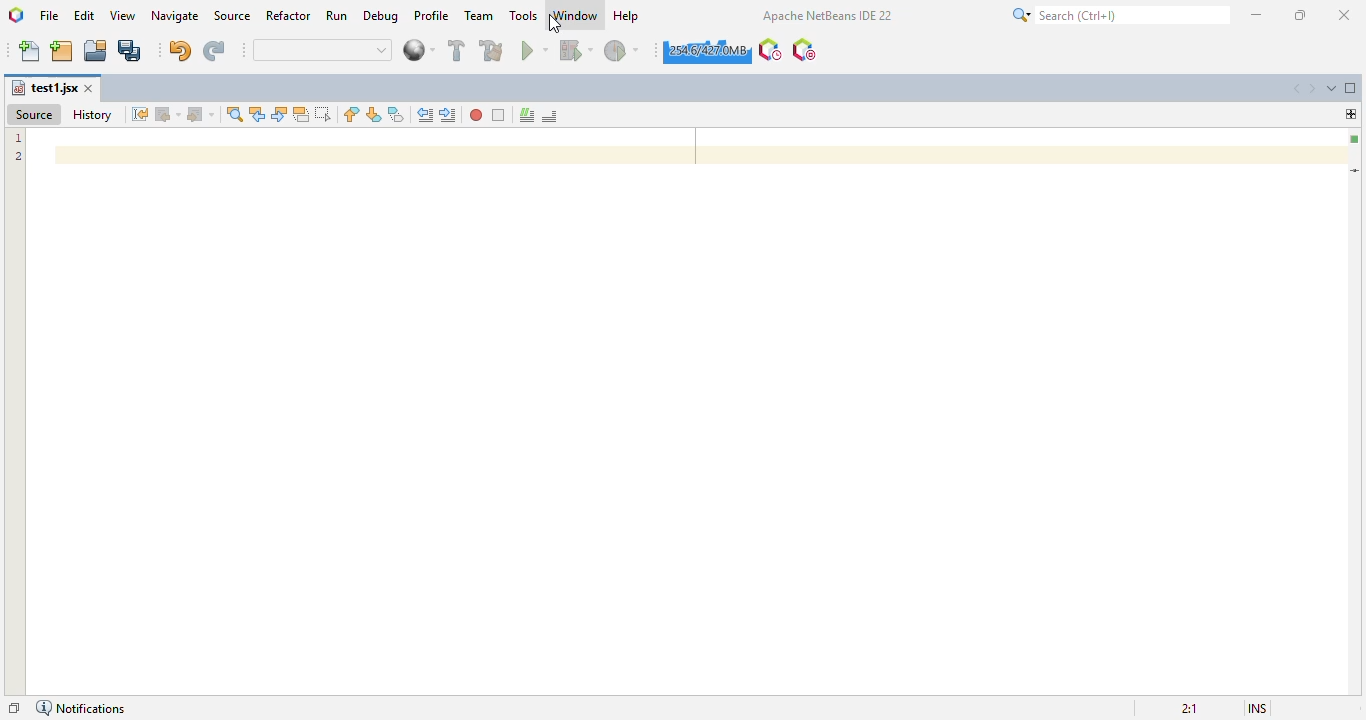 The width and height of the screenshot is (1366, 720). What do you see at coordinates (535, 50) in the screenshot?
I see `run project` at bounding box center [535, 50].